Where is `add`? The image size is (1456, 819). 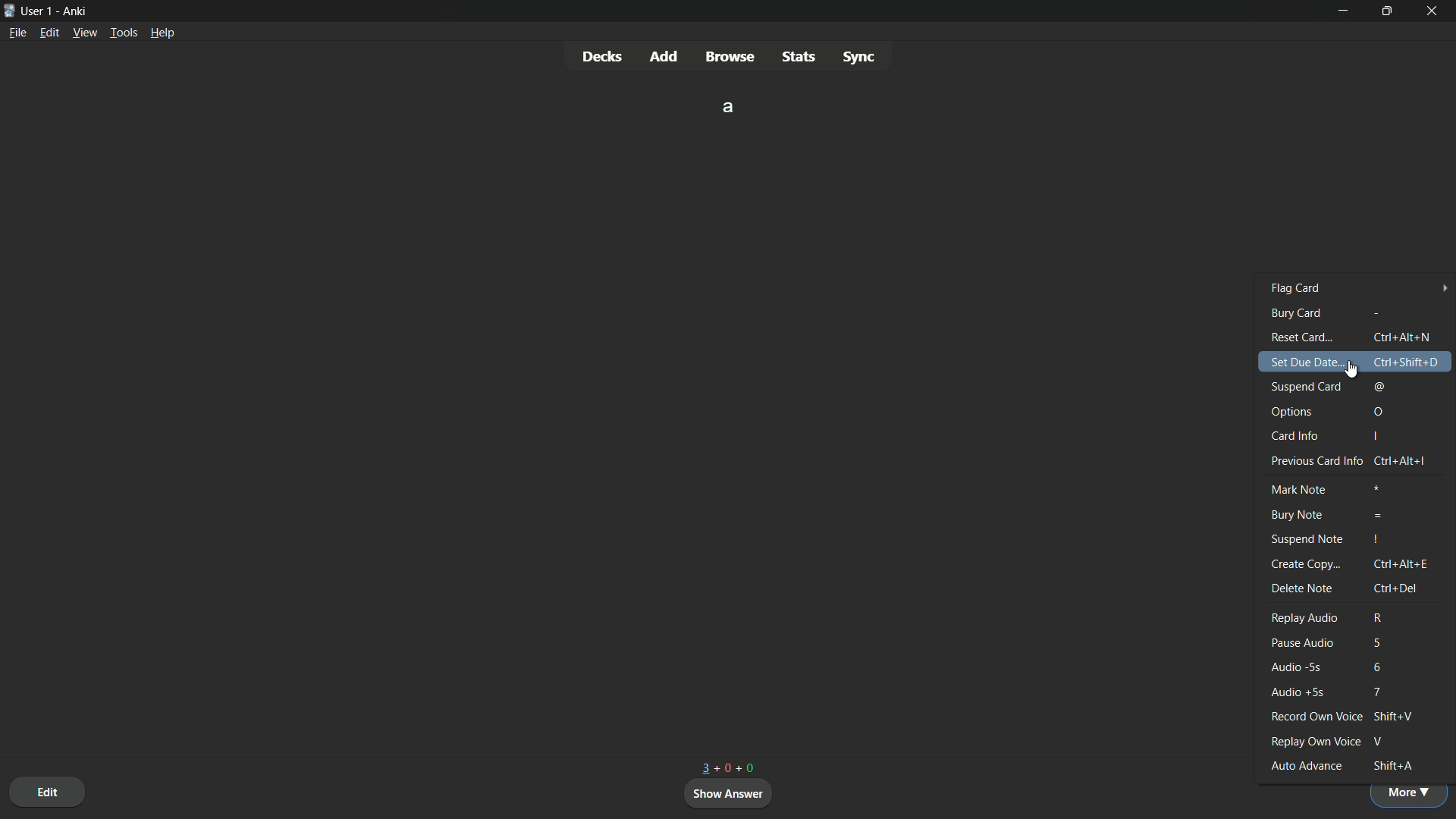 add is located at coordinates (665, 56).